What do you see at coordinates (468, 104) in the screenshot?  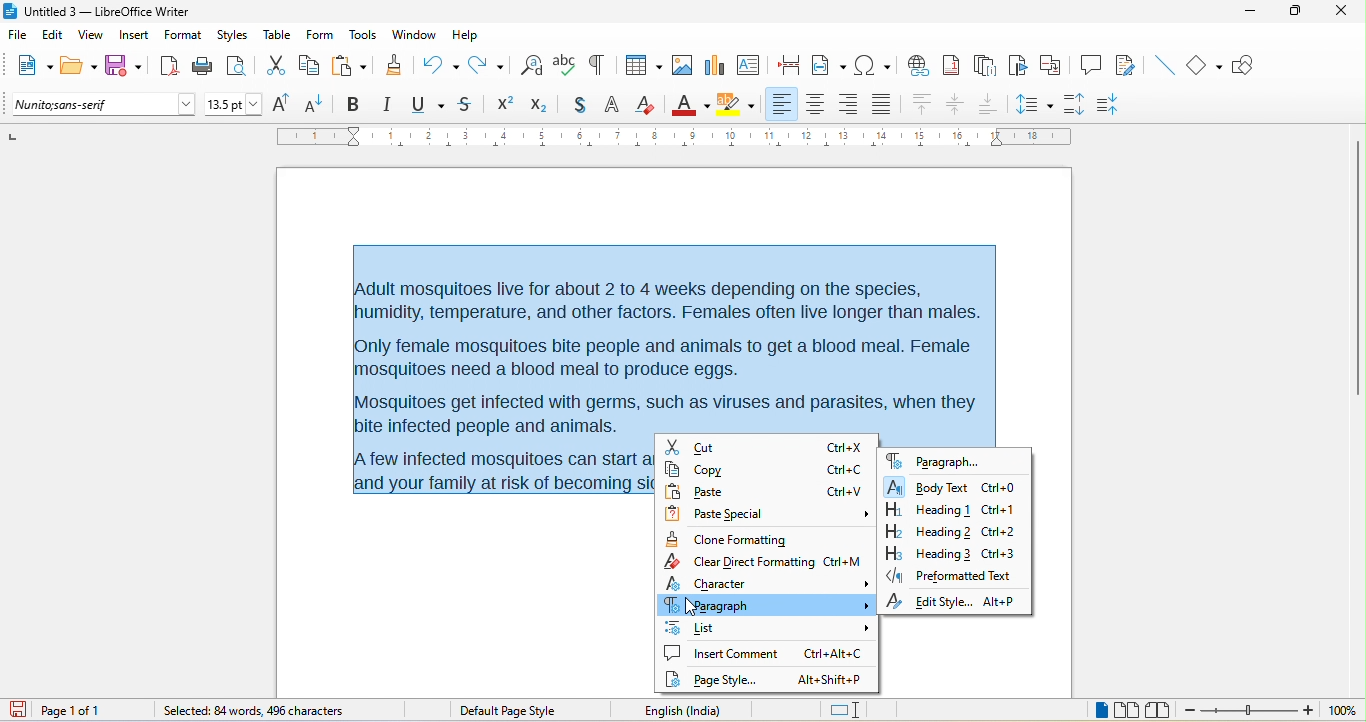 I see `strikethrough` at bounding box center [468, 104].